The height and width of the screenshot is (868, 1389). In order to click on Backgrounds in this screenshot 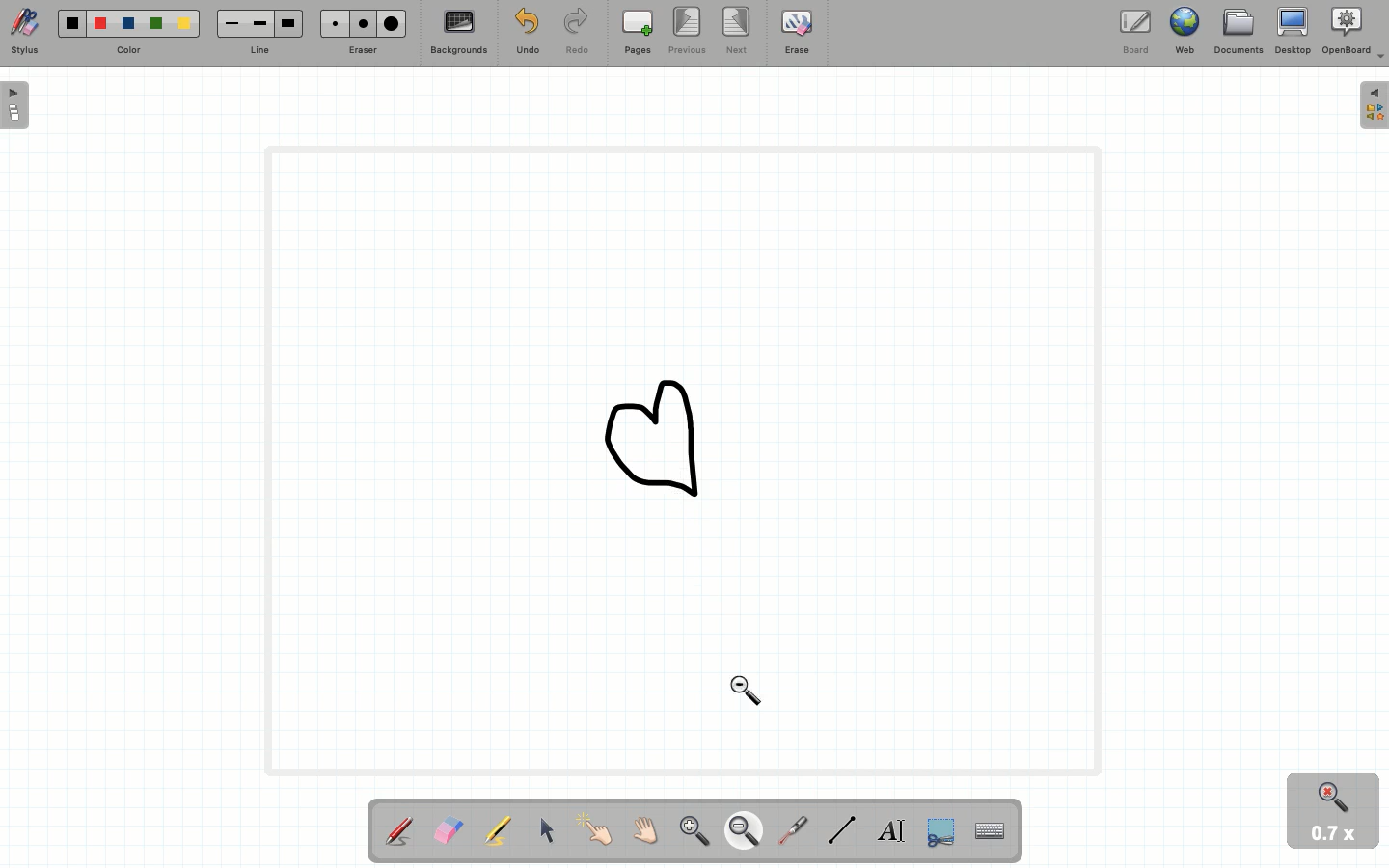, I will do `click(459, 32)`.